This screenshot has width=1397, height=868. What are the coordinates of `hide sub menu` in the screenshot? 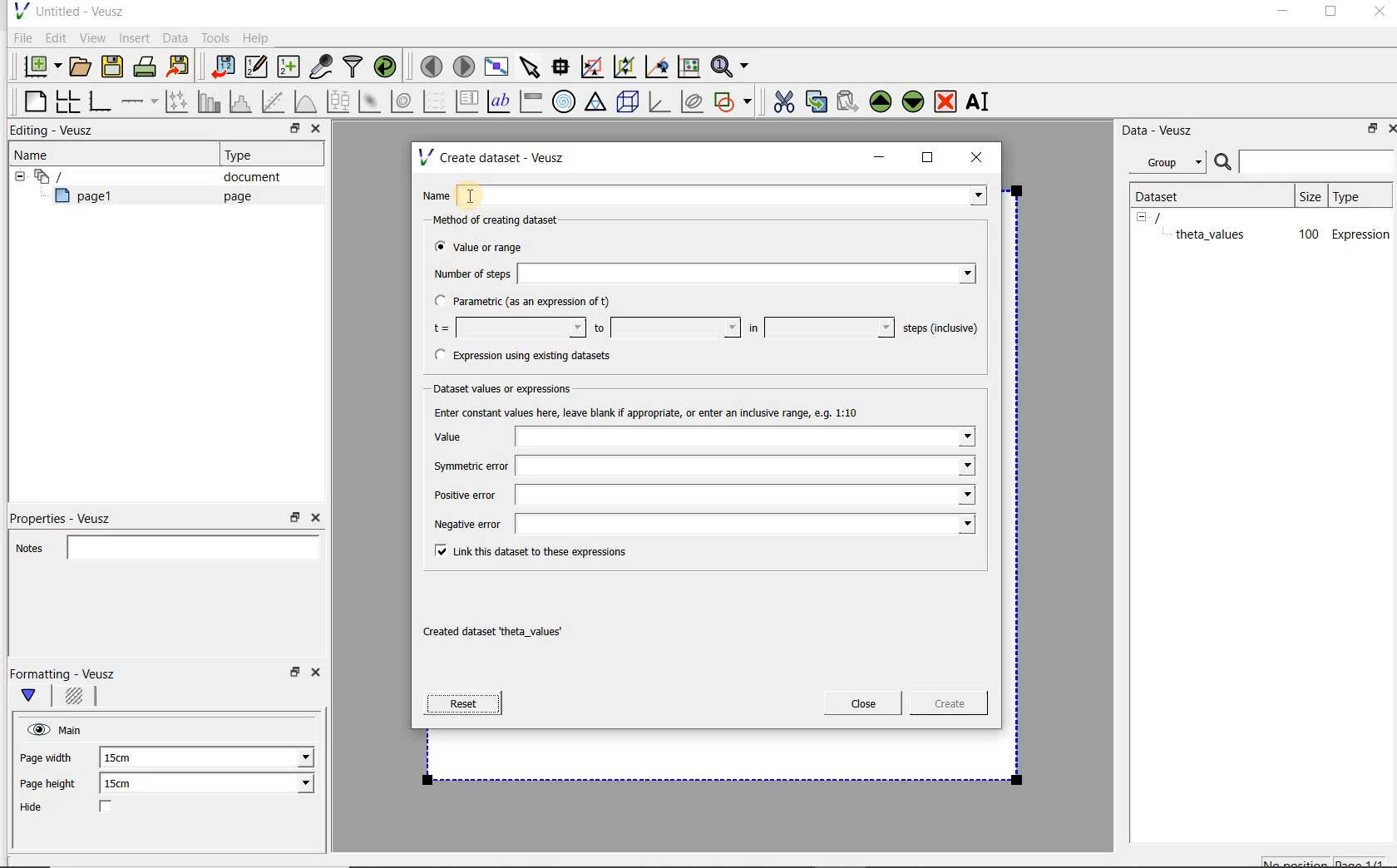 It's located at (16, 175).